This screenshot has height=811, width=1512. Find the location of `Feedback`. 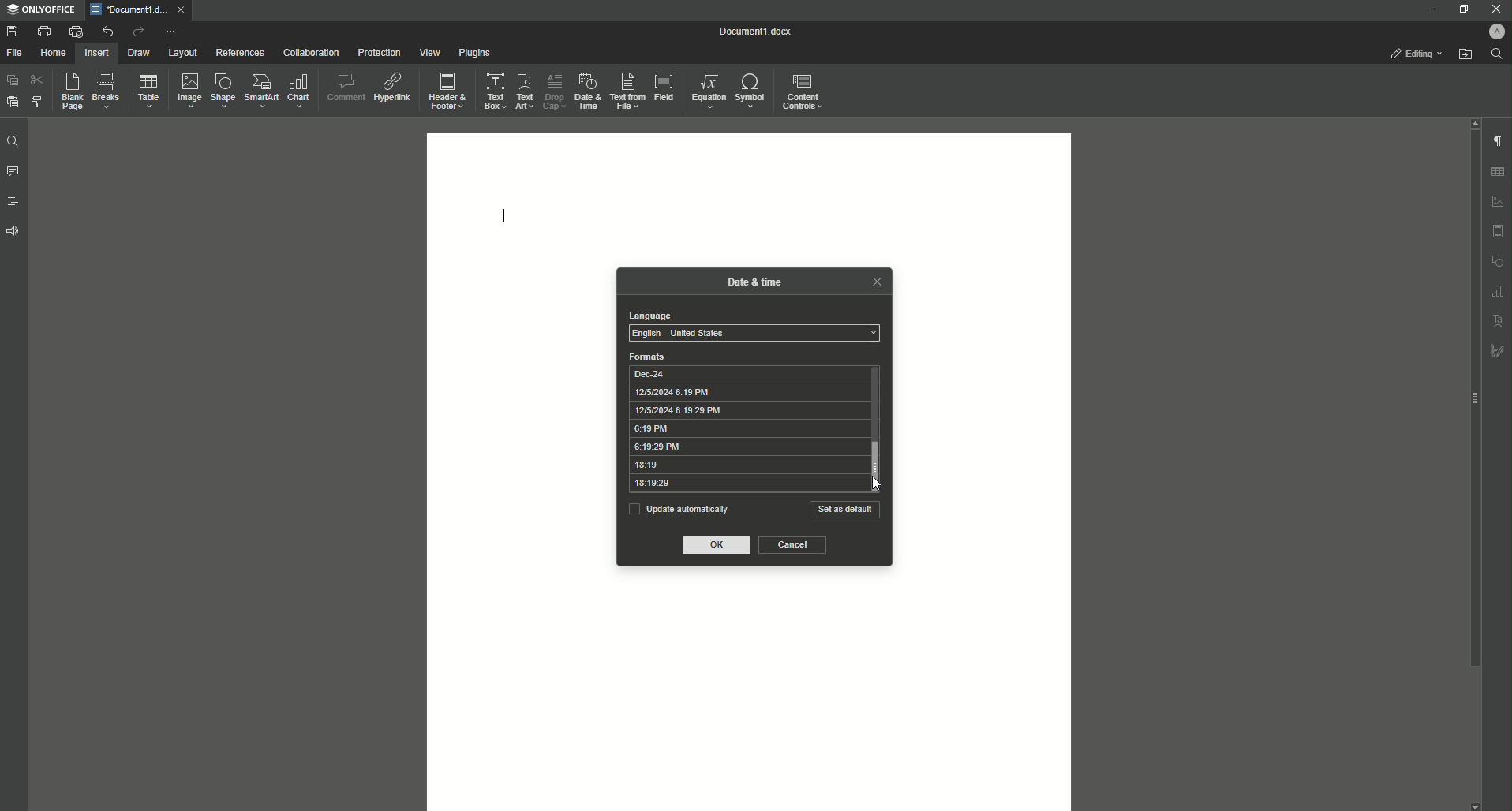

Feedback is located at coordinates (14, 231).